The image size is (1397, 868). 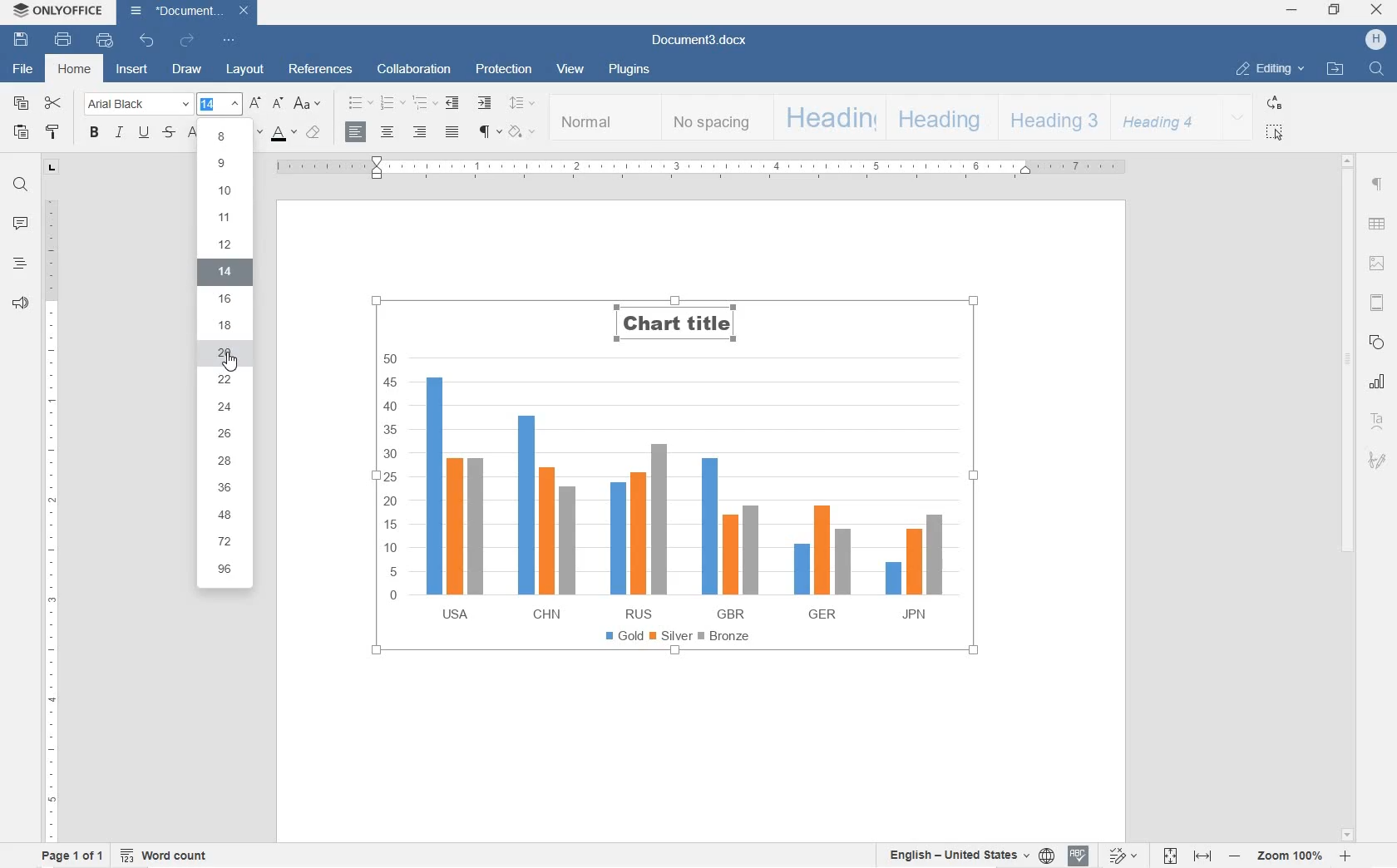 I want to click on HEADING 4, so click(x=1161, y=117).